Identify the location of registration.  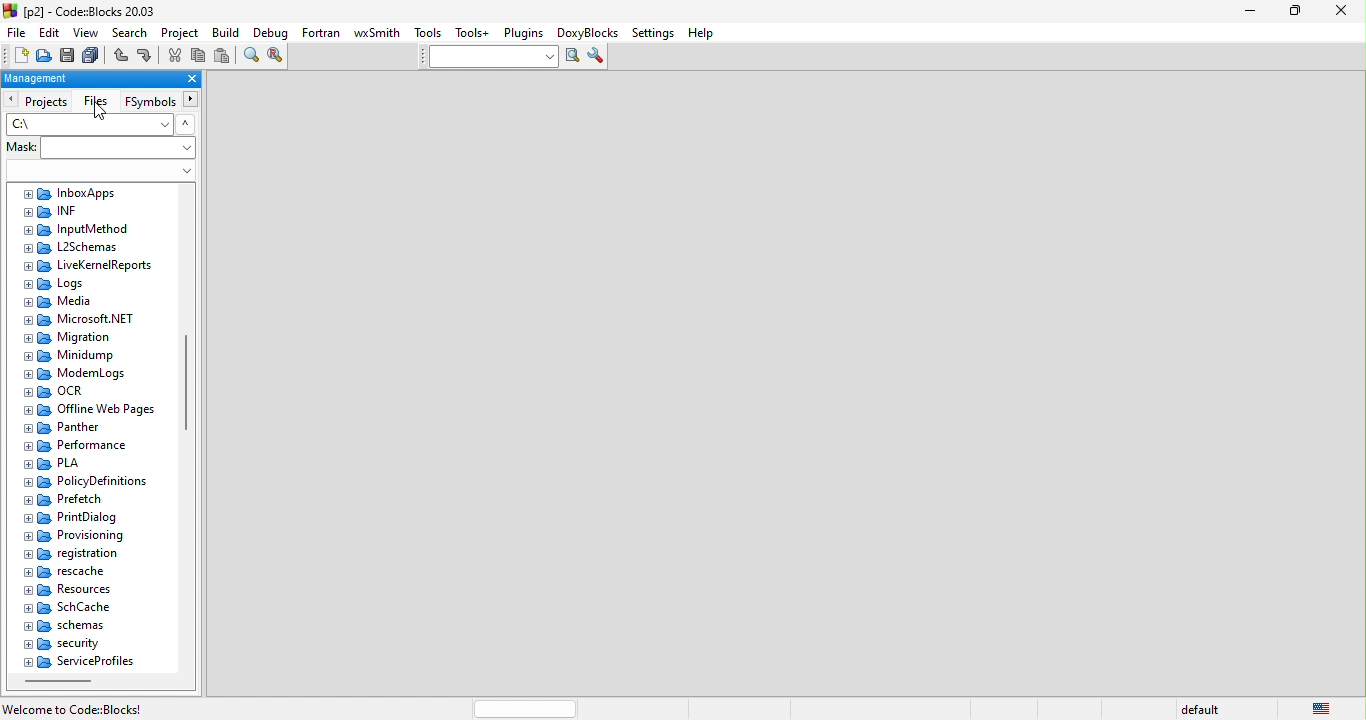
(82, 553).